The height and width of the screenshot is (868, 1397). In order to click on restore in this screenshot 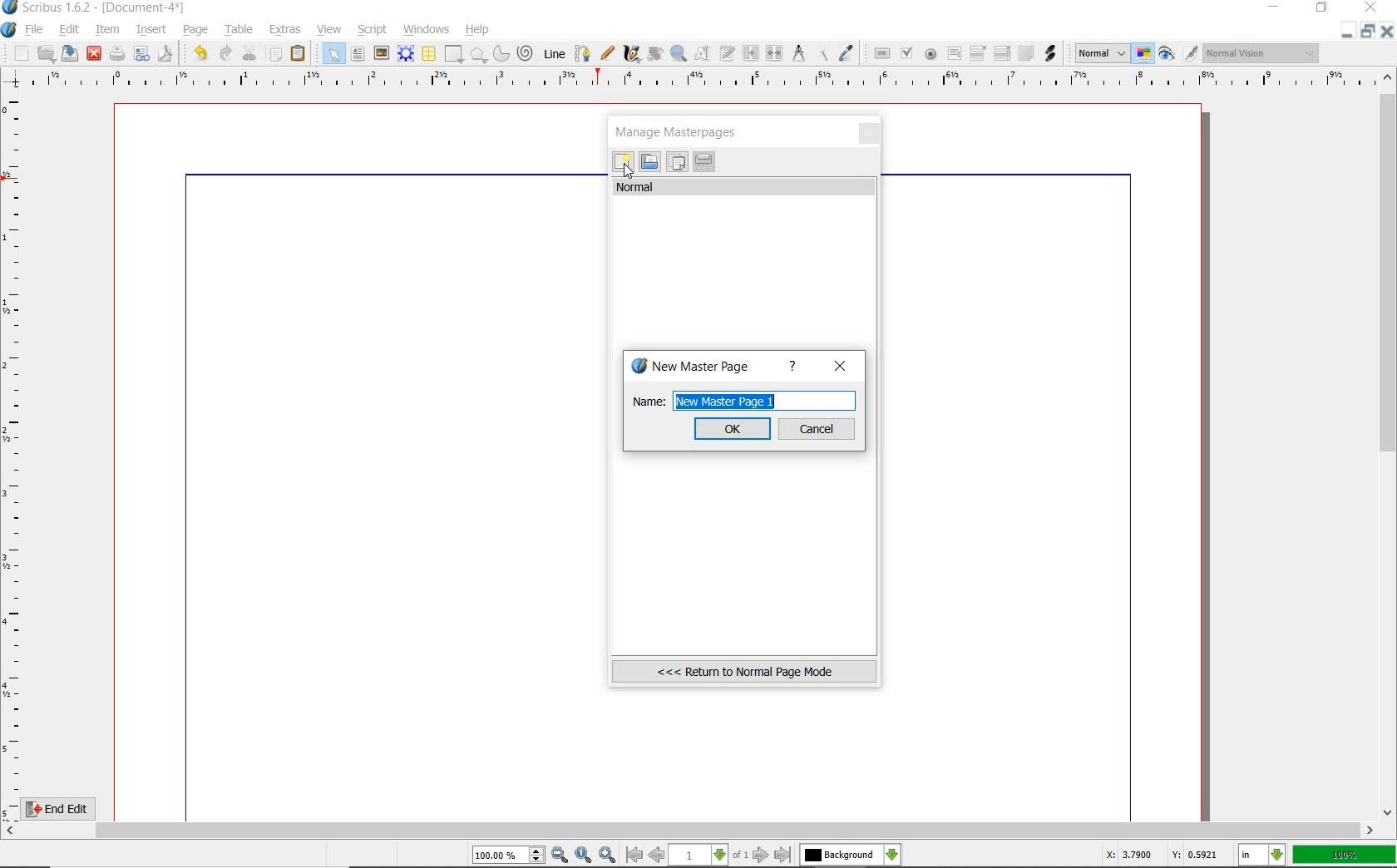, I will do `click(1370, 32)`.